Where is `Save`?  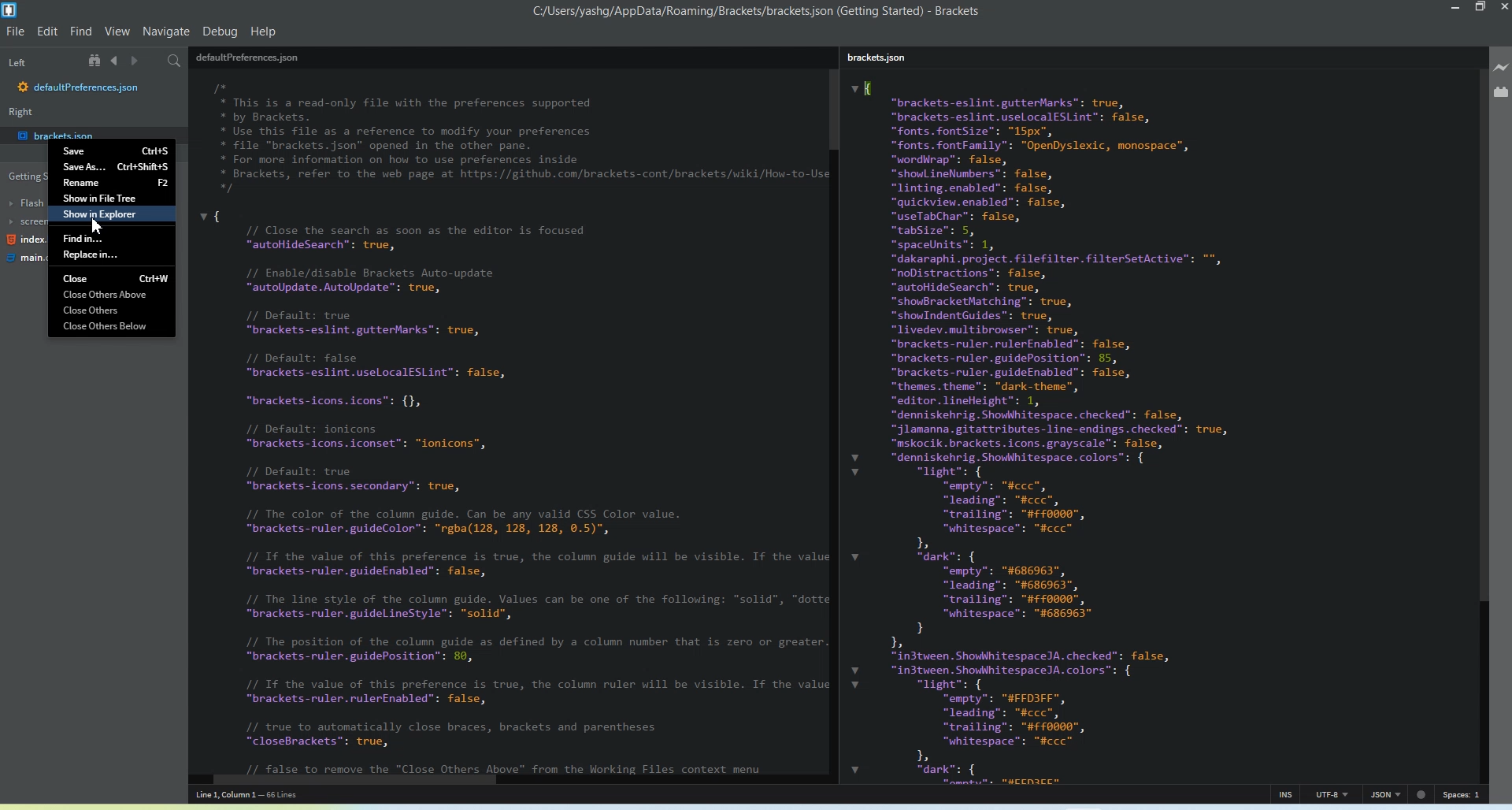
Save is located at coordinates (111, 148).